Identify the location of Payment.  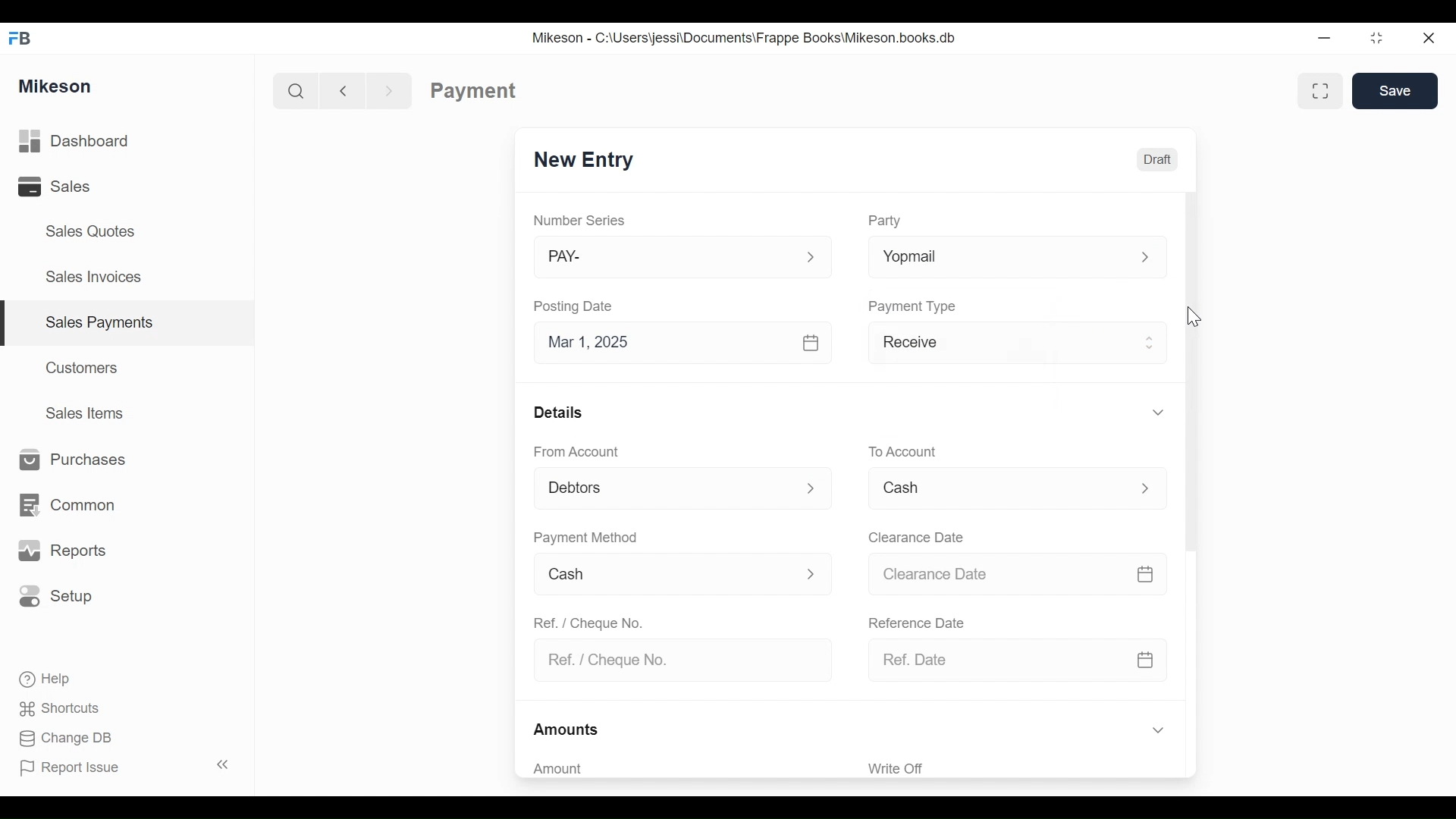
(472, 89).